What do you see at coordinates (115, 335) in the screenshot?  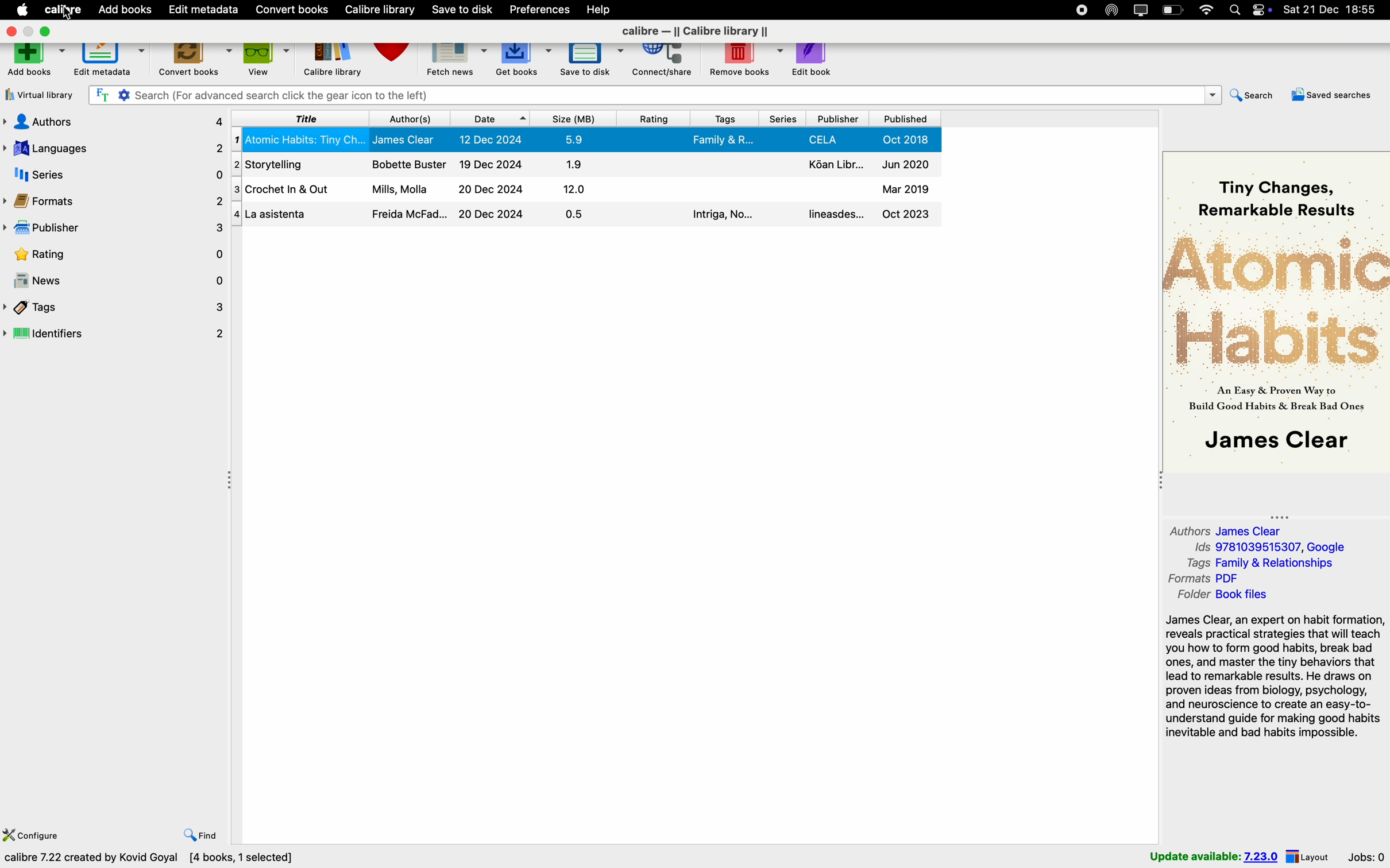 I see `identifiers` at bounding box center [115, 335].